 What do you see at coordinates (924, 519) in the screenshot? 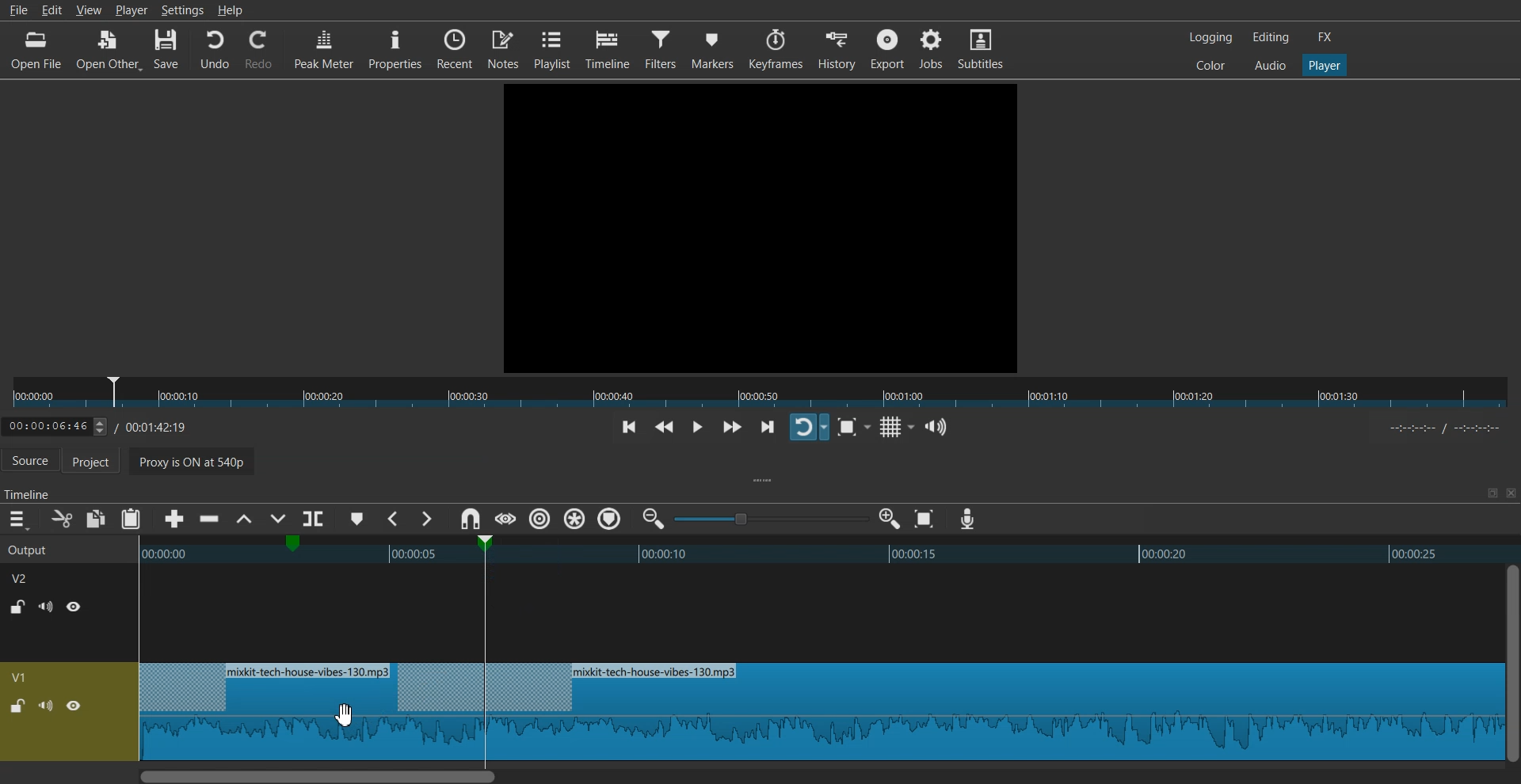
I see `Zoom timeline to Fit` at bounding box center [924, 519].